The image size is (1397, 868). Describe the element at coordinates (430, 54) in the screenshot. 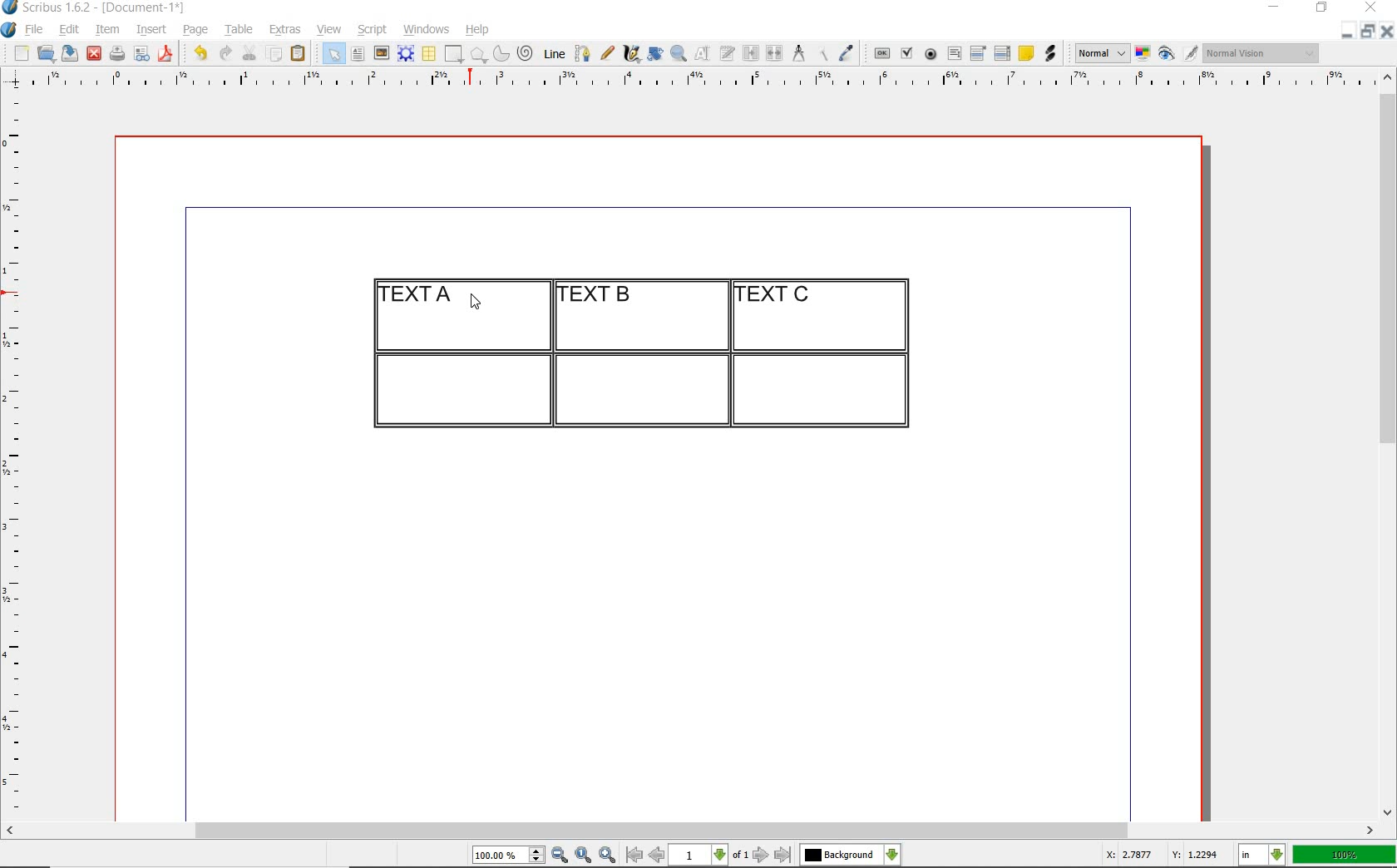

I see `table` at that location.